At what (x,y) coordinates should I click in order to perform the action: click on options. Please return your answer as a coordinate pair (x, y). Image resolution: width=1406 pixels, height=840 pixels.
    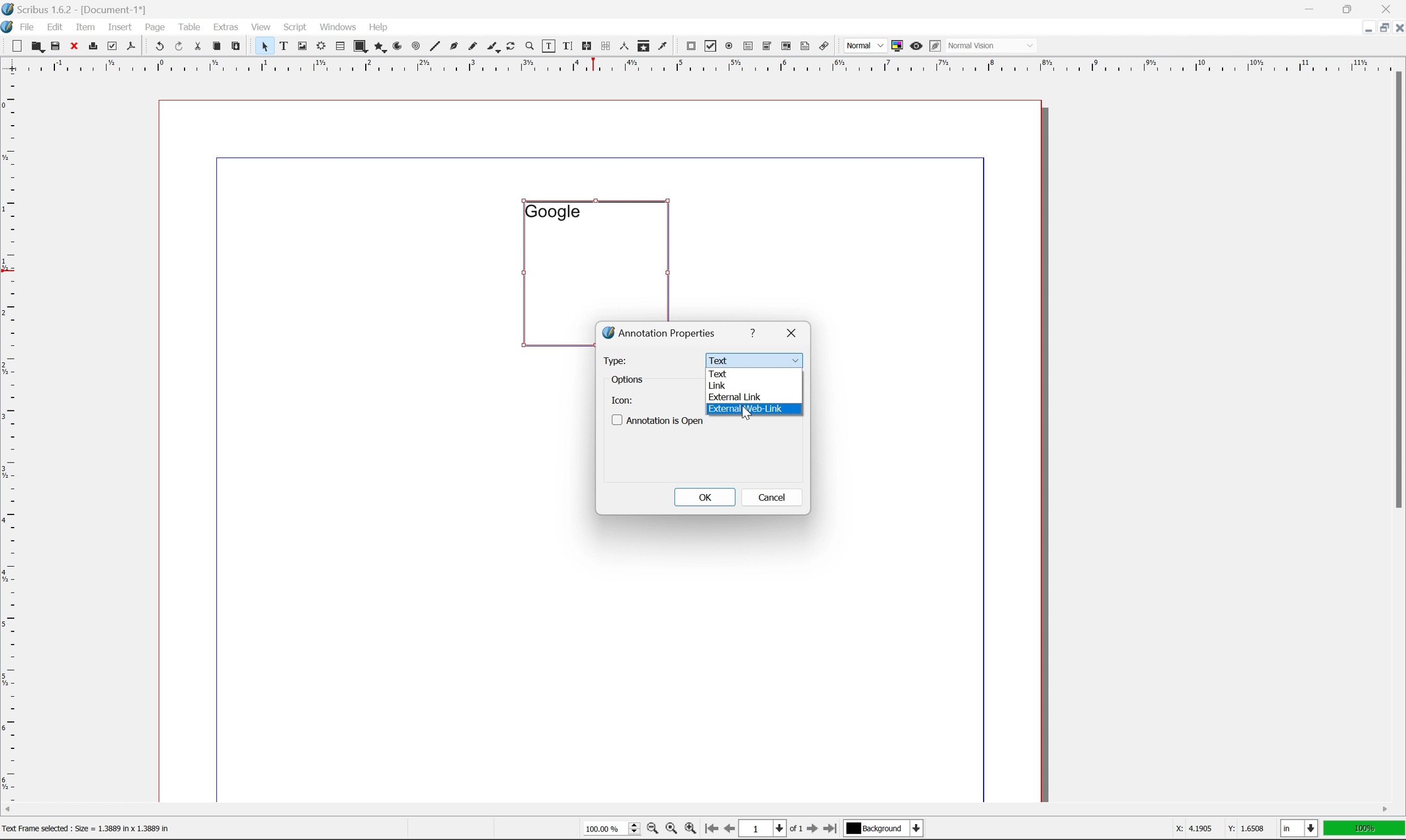
    Looking at the image, I should click on (629, 380).